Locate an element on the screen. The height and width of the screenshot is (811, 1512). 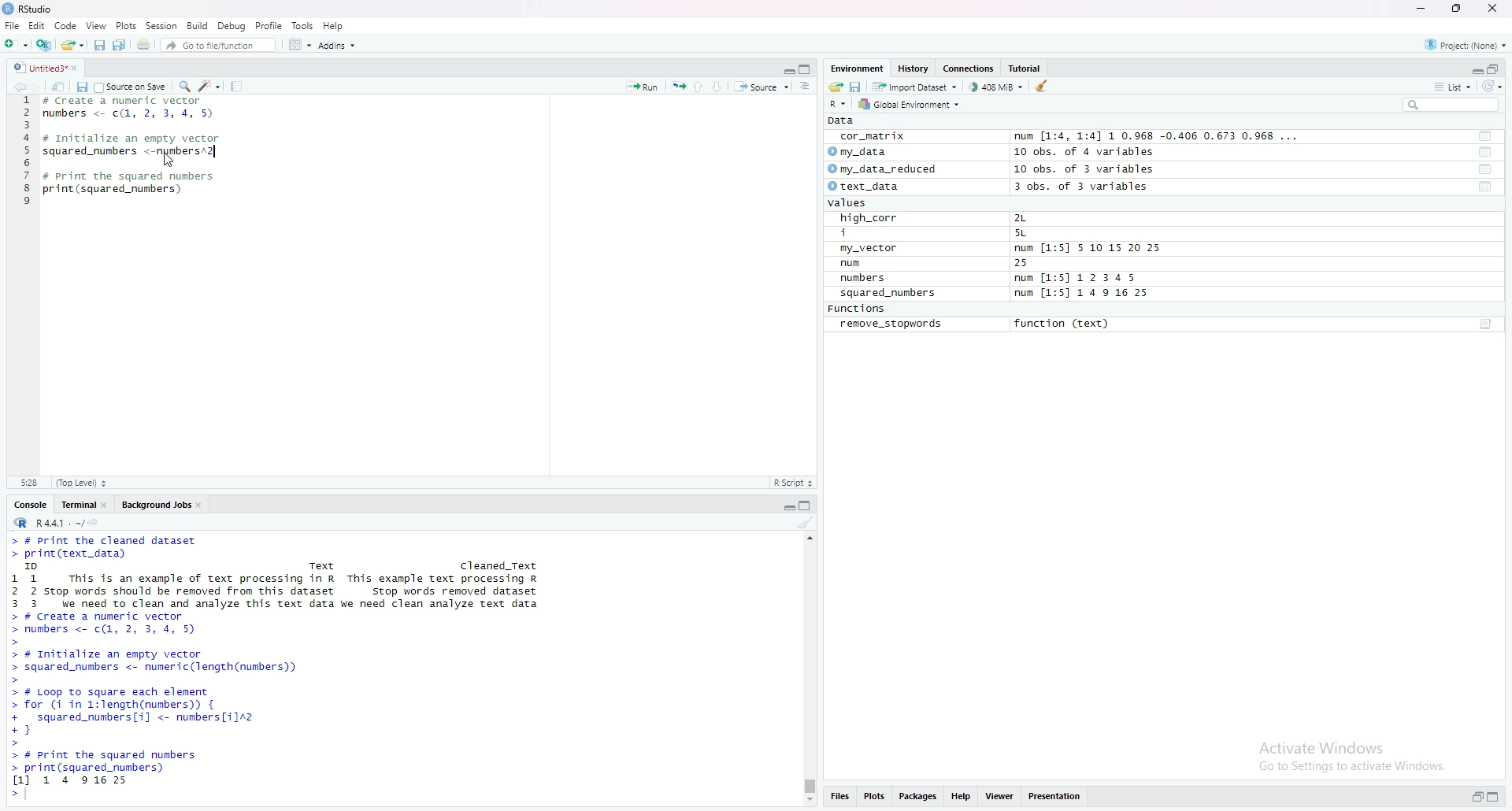
num [1:5] 1 2 345 is located at coordinates (1080, 279).